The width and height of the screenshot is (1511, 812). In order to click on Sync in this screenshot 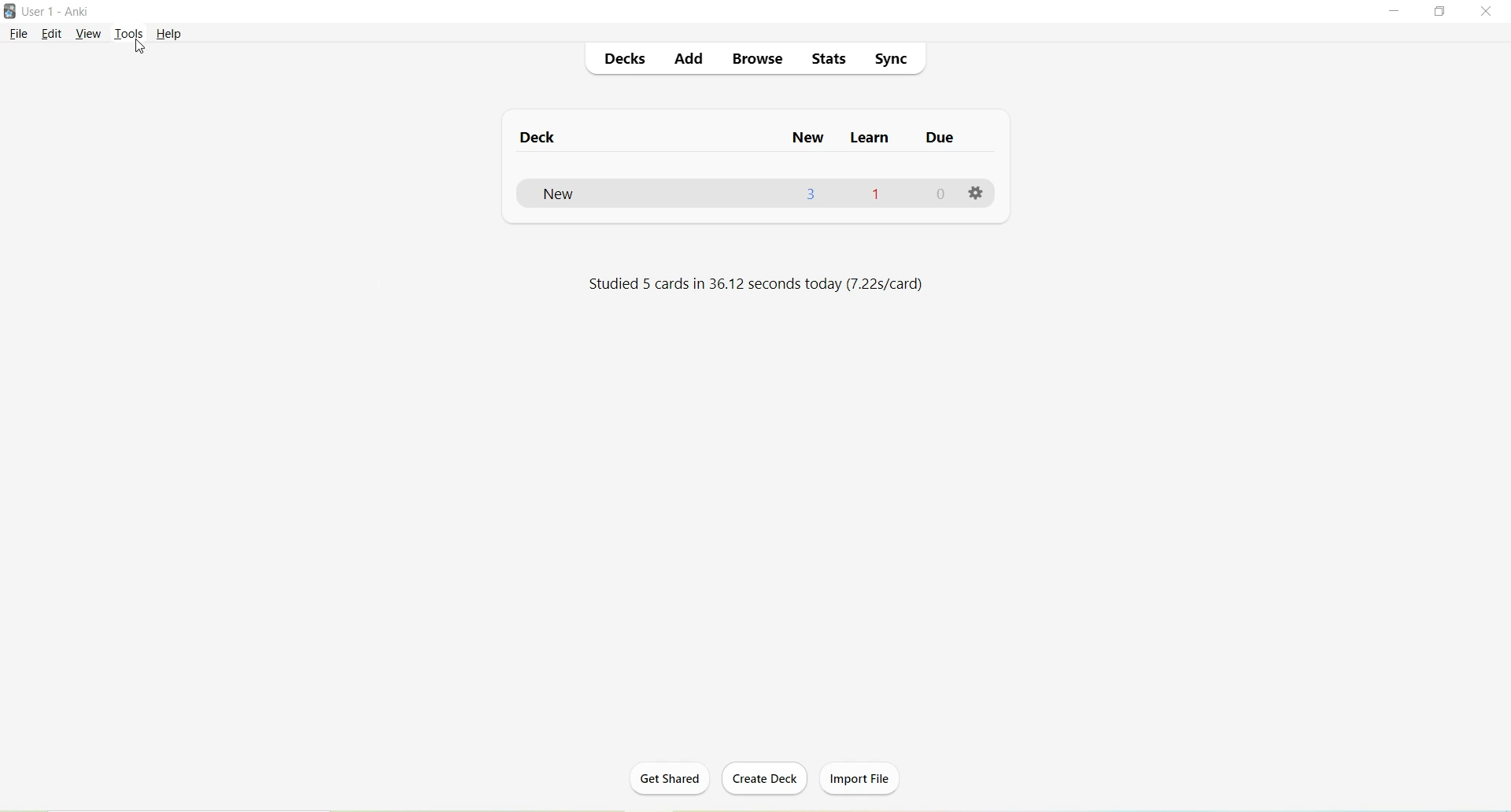, I will do `click(893, 59)`.